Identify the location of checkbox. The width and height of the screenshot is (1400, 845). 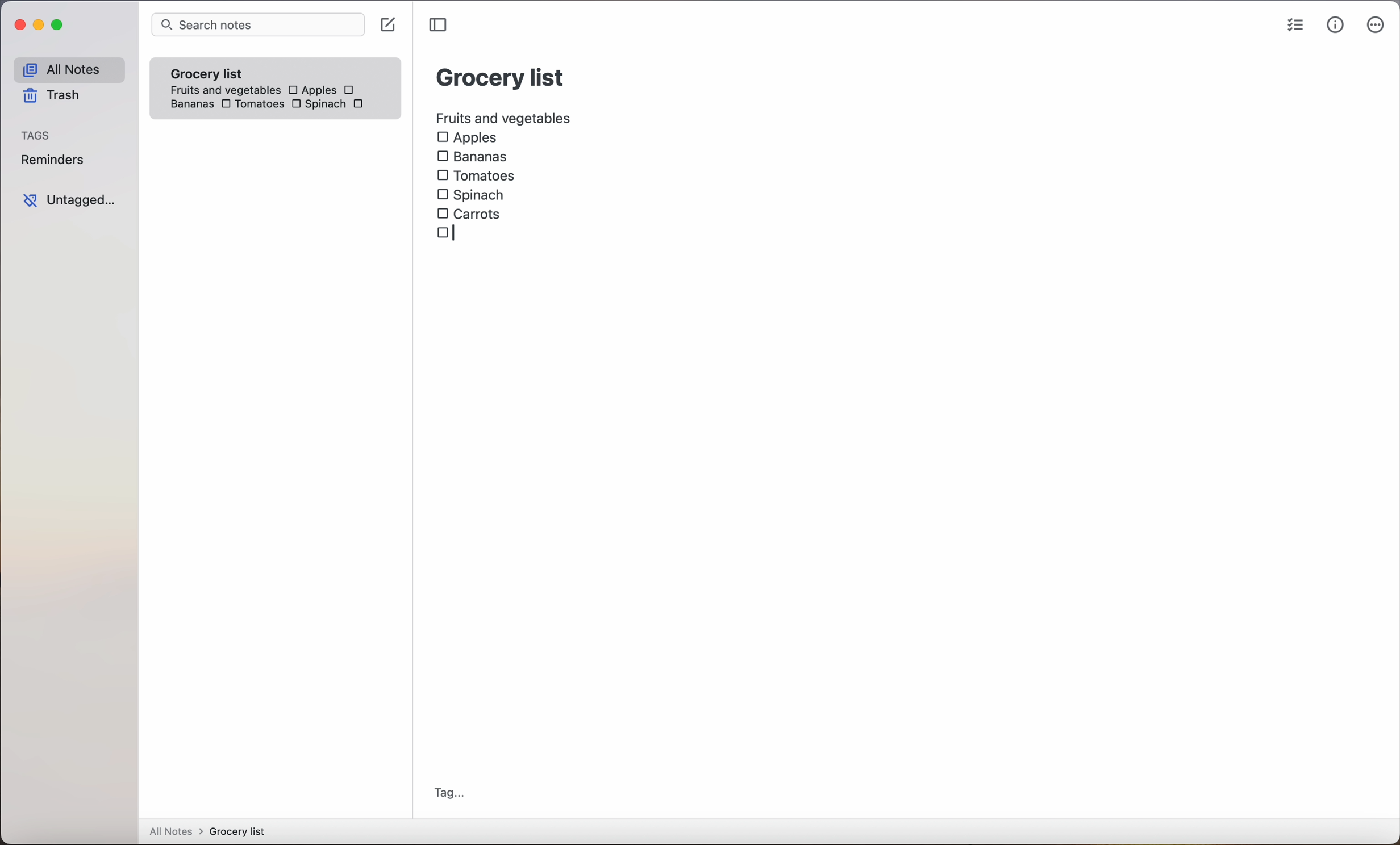
(351, 90).